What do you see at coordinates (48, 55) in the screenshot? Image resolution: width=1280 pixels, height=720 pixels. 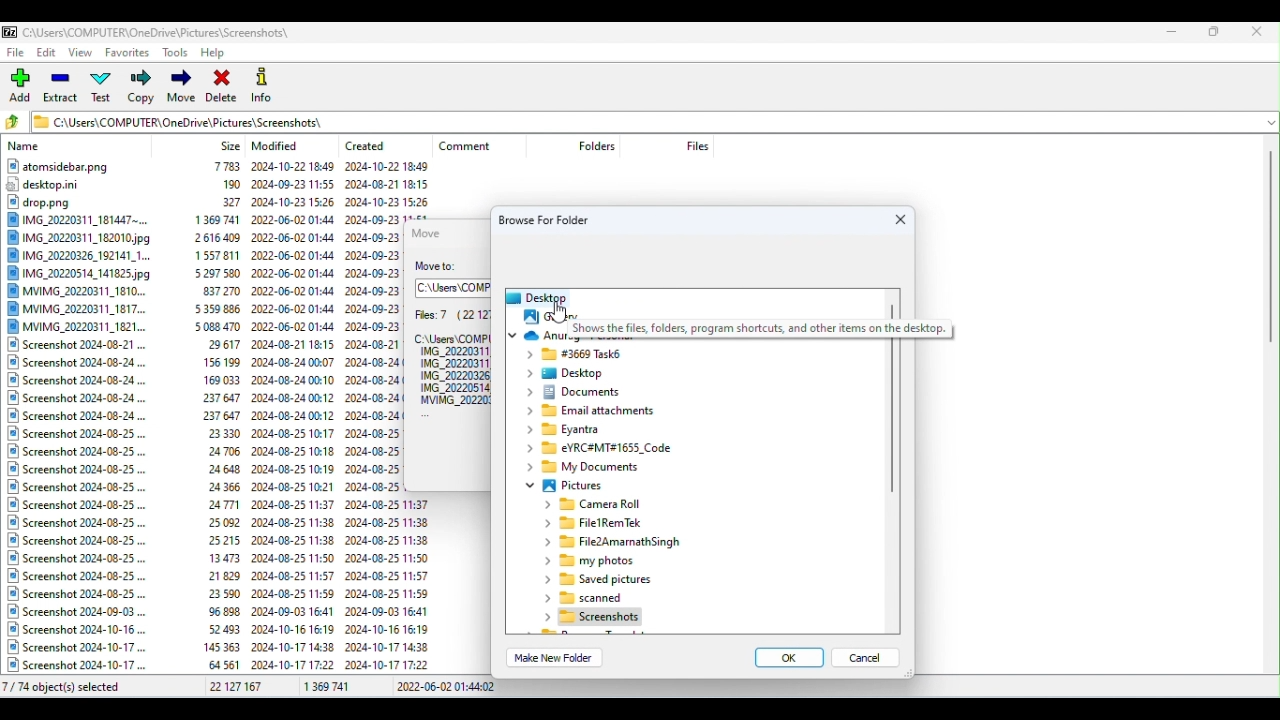 I see `Edit` at bounding box center [48, 55].